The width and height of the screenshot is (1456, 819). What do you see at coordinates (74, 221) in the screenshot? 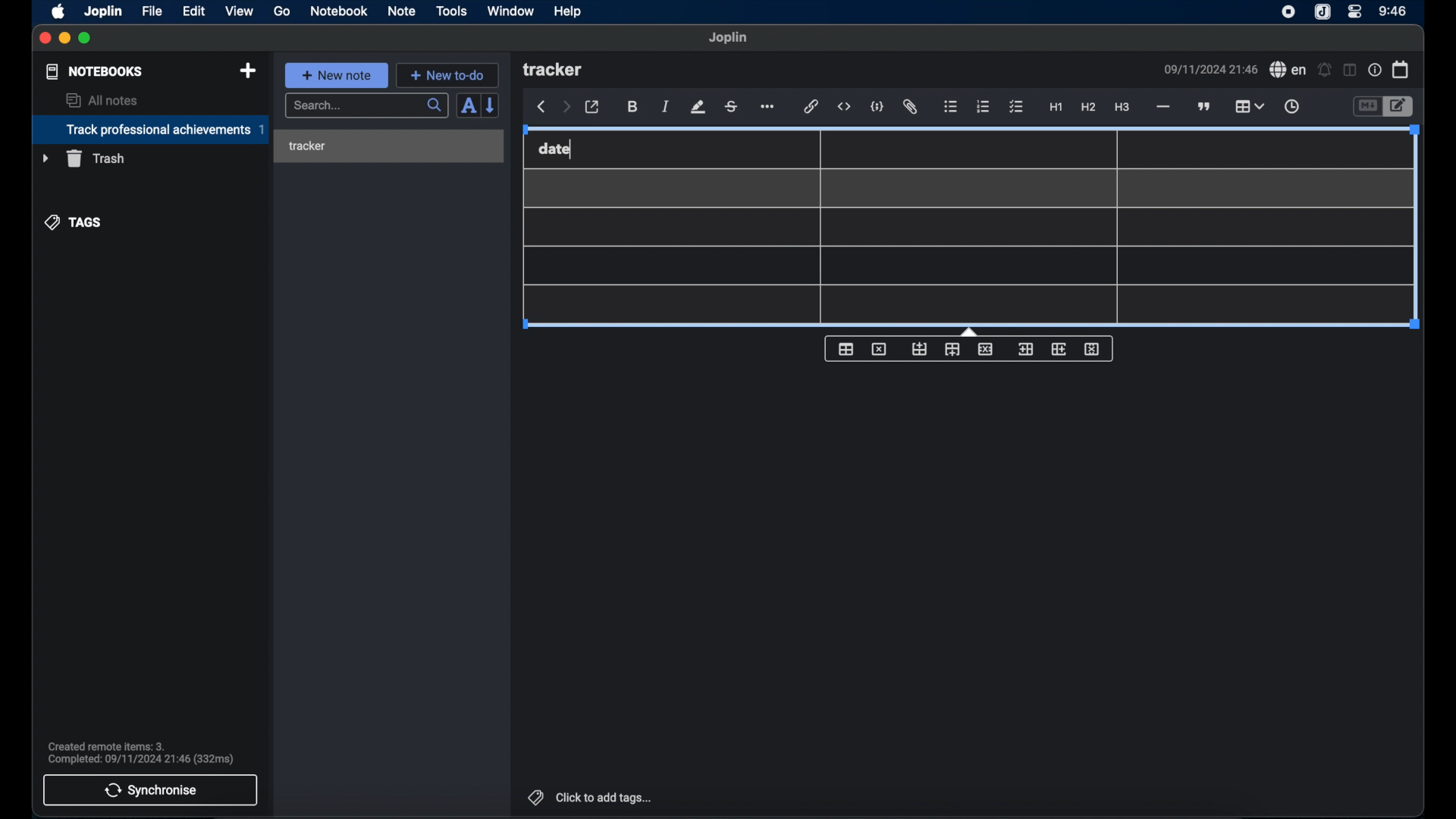
I see `tags` at bounding box center [74, 221].